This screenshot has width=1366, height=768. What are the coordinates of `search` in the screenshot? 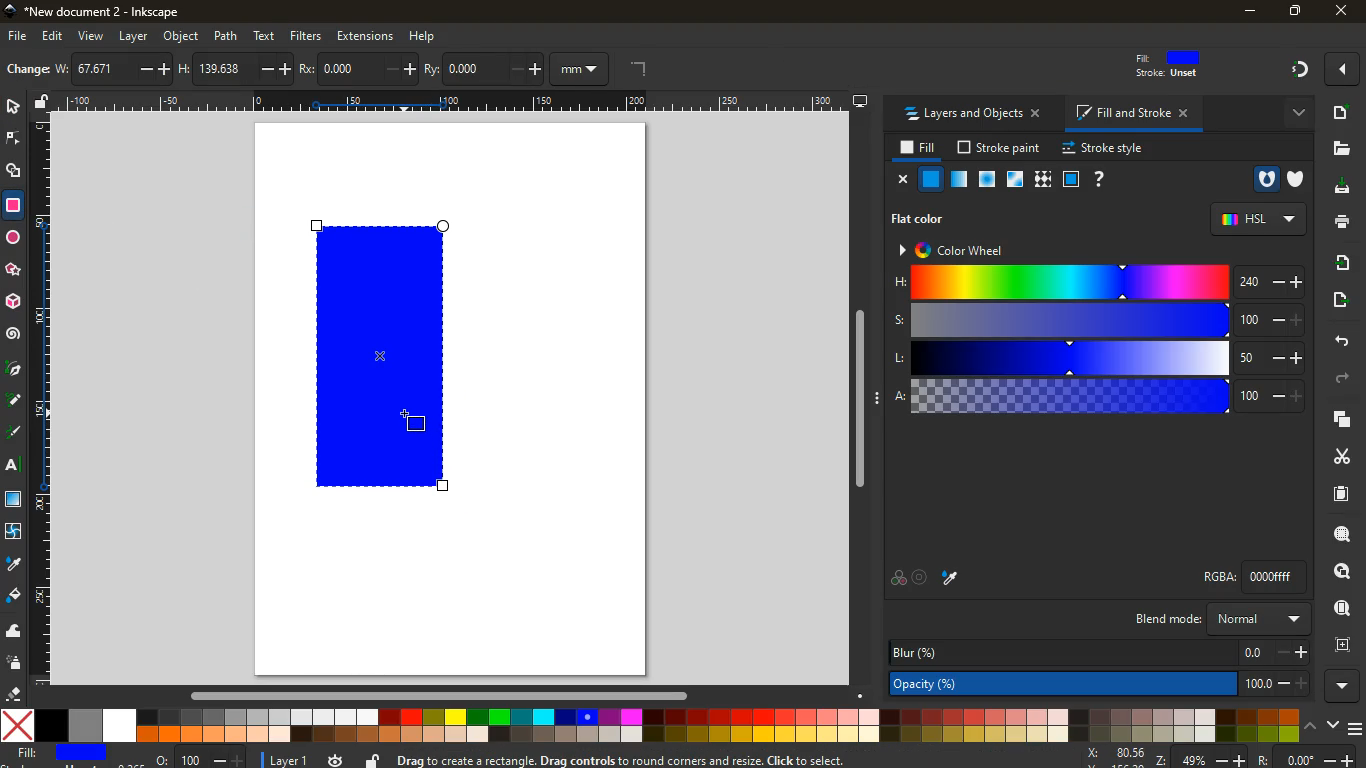 It's located at (1341, 534).